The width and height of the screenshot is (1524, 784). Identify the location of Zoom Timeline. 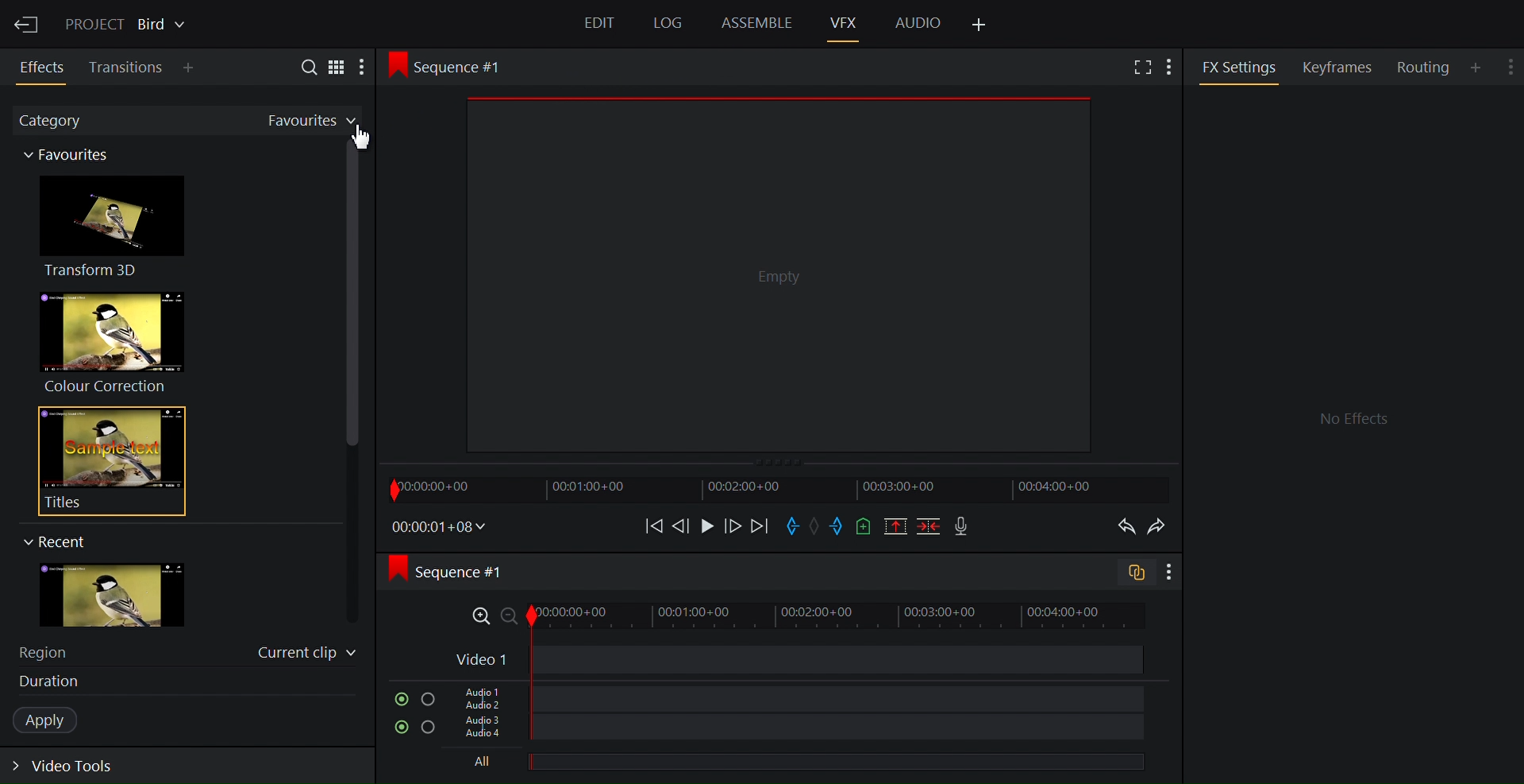
(799, 617).